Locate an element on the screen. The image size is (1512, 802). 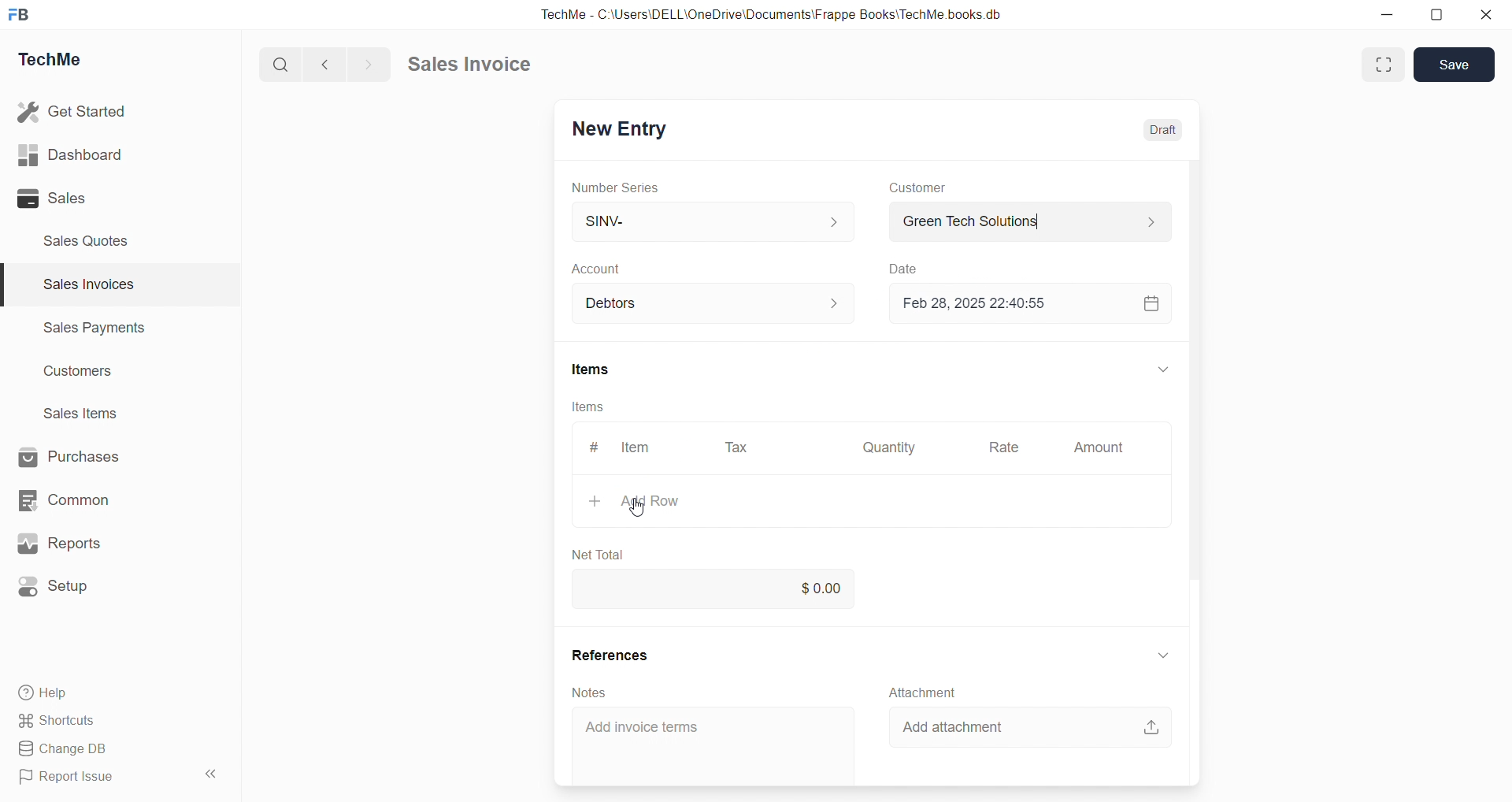
Net total is located at coordinates (597, 555).